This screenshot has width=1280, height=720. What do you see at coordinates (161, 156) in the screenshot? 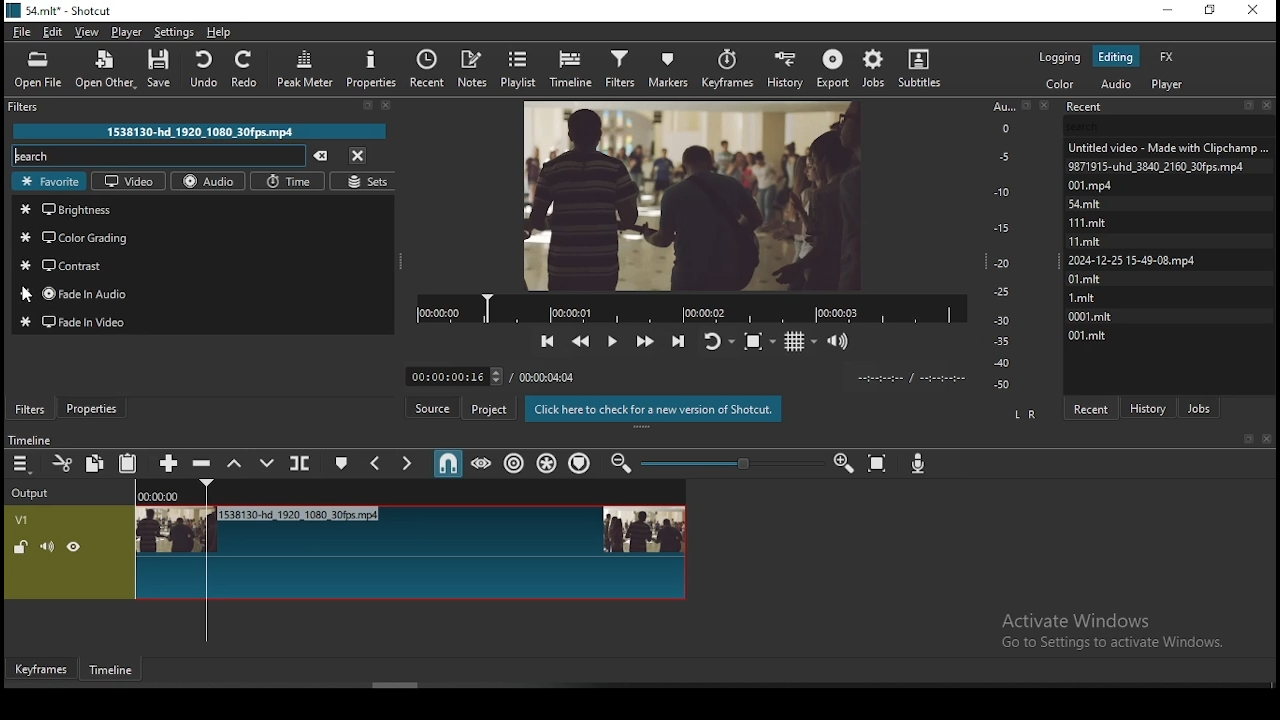
I see `search` at bounding box center [161, 156].